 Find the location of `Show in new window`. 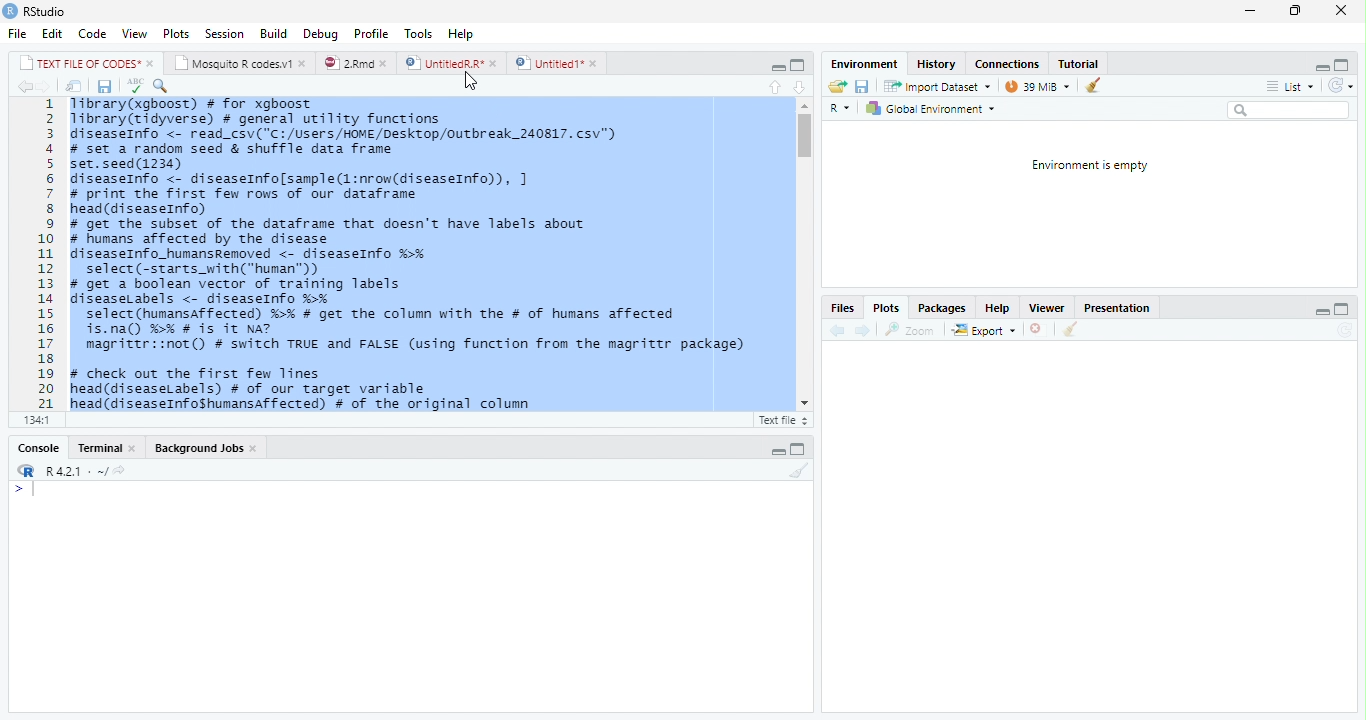

Show in new window is located at coordinates (70, 86).